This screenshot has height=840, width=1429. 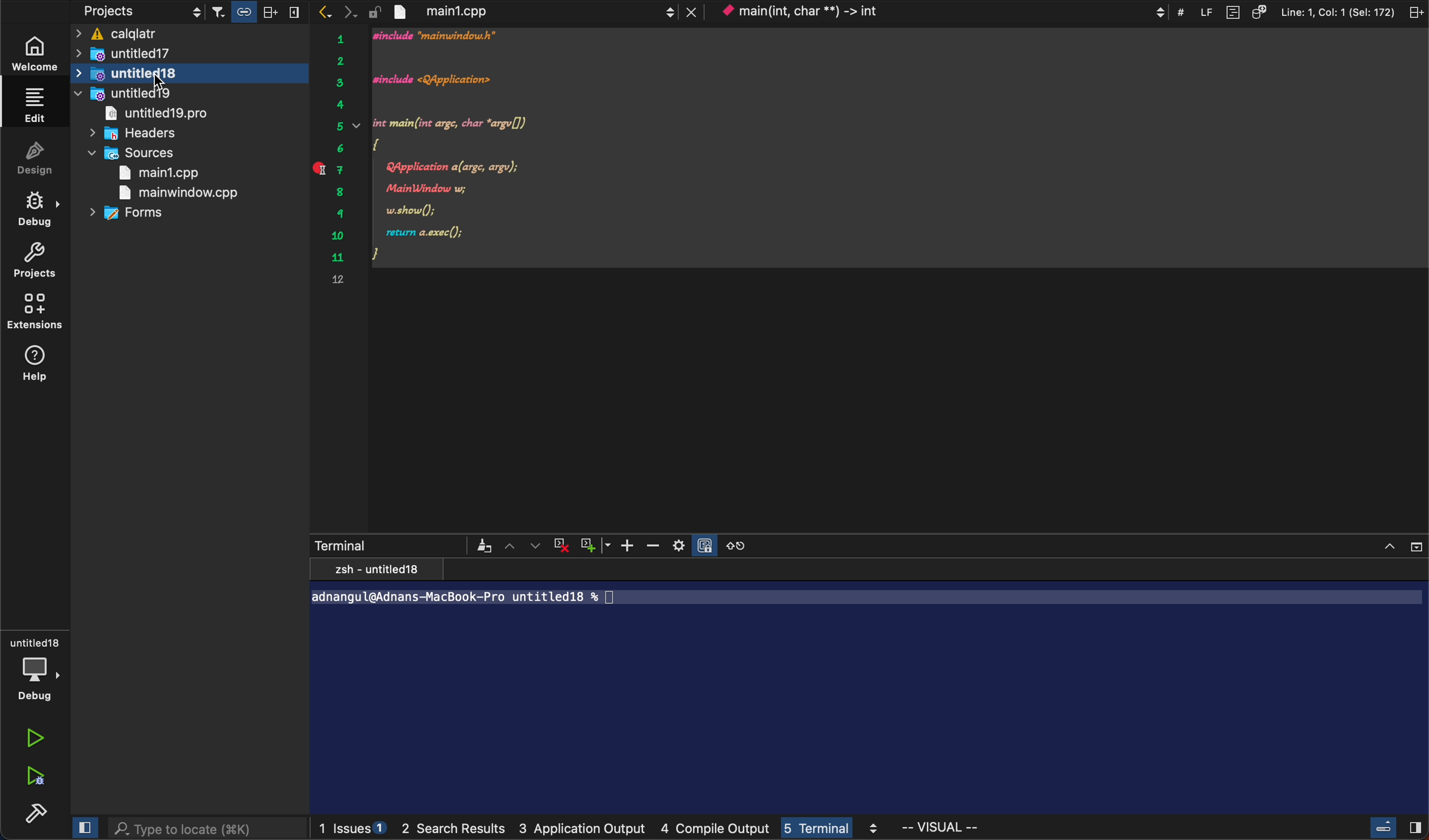 What do you see at coordinates (269, 10) in the screenshot?
I see `split horizontally` at bounding box center [269, 10].